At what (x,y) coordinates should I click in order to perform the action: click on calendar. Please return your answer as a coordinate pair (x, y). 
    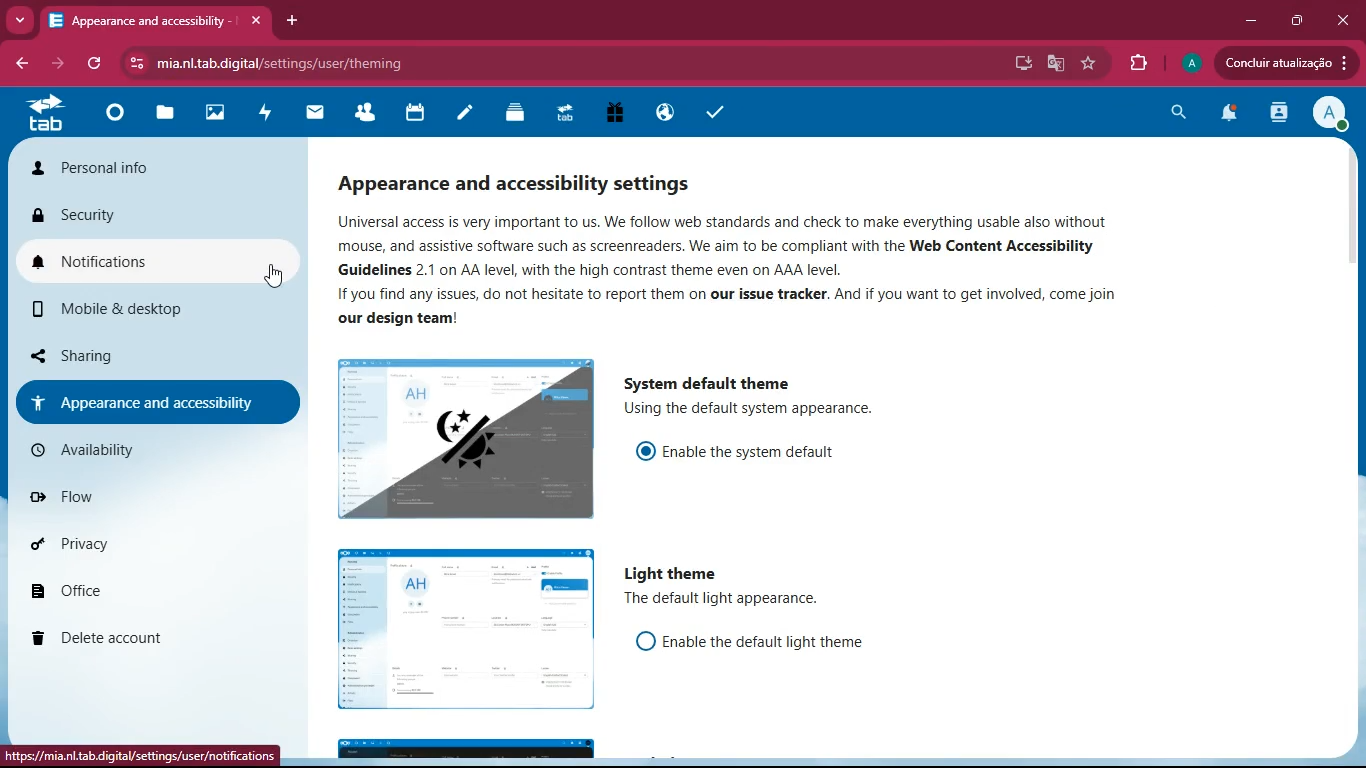
    Looking at the image, I should click on (417, 116).